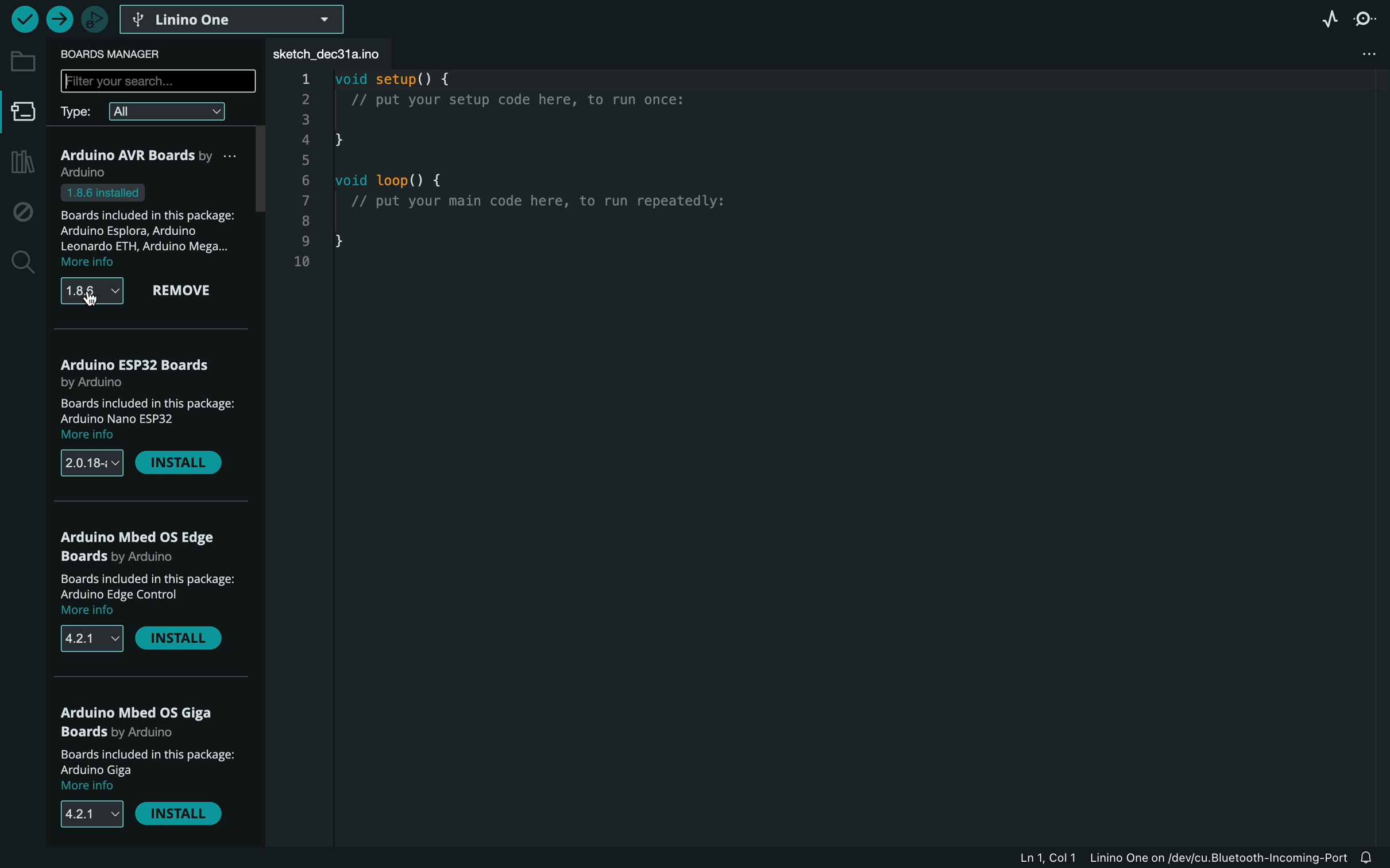  What do you see at coordinates (118, 54) in the screenshot?
I see `board manager` at bounding box center [118, 54].